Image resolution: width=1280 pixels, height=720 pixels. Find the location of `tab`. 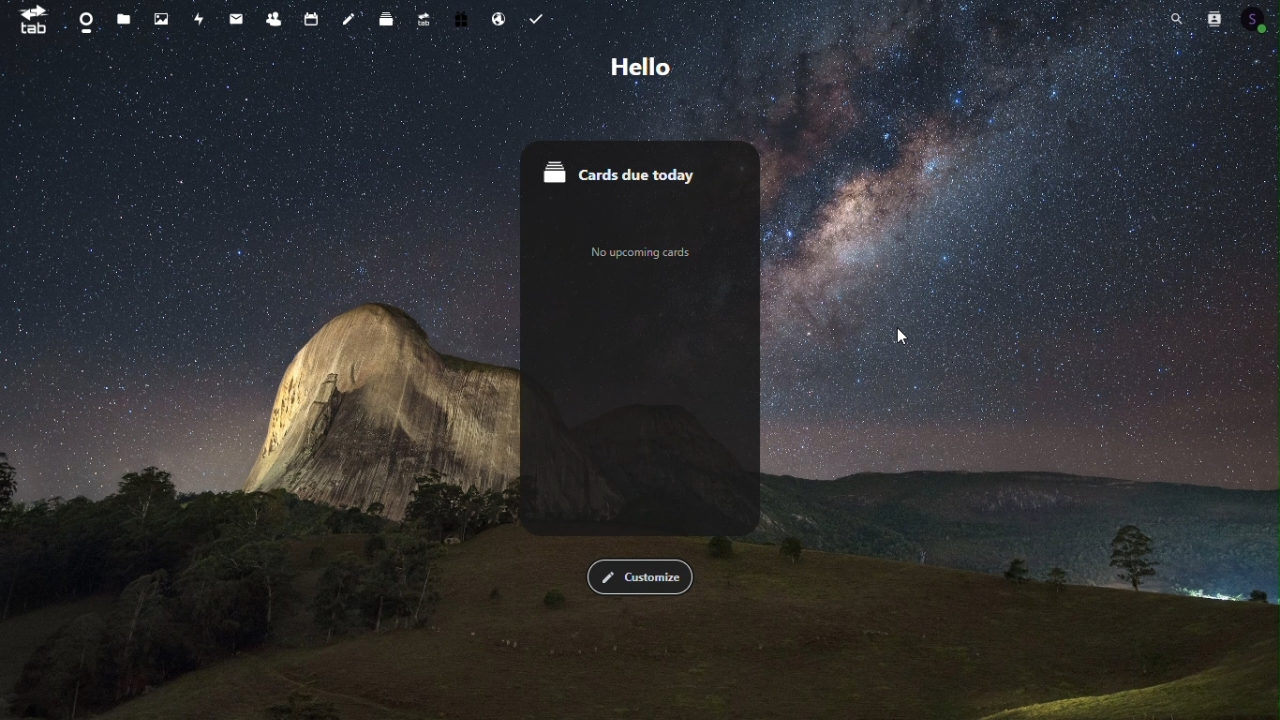

tab is located at coordinates (34, 22).